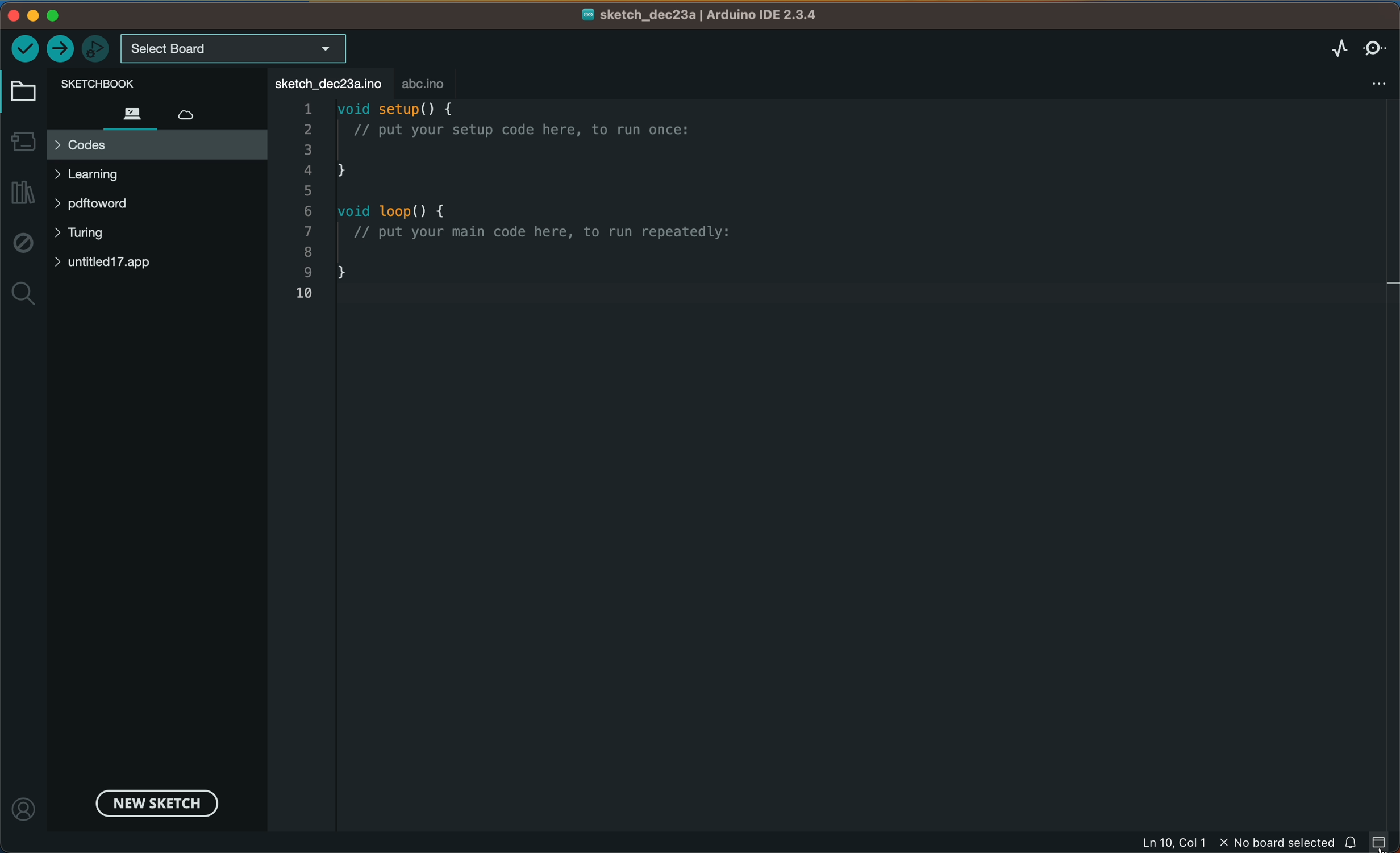 The width and height of the screenshot is (1400, 853). Describe the element at coordinates (21, 242) in the screenshot. I see `debug` at that location.